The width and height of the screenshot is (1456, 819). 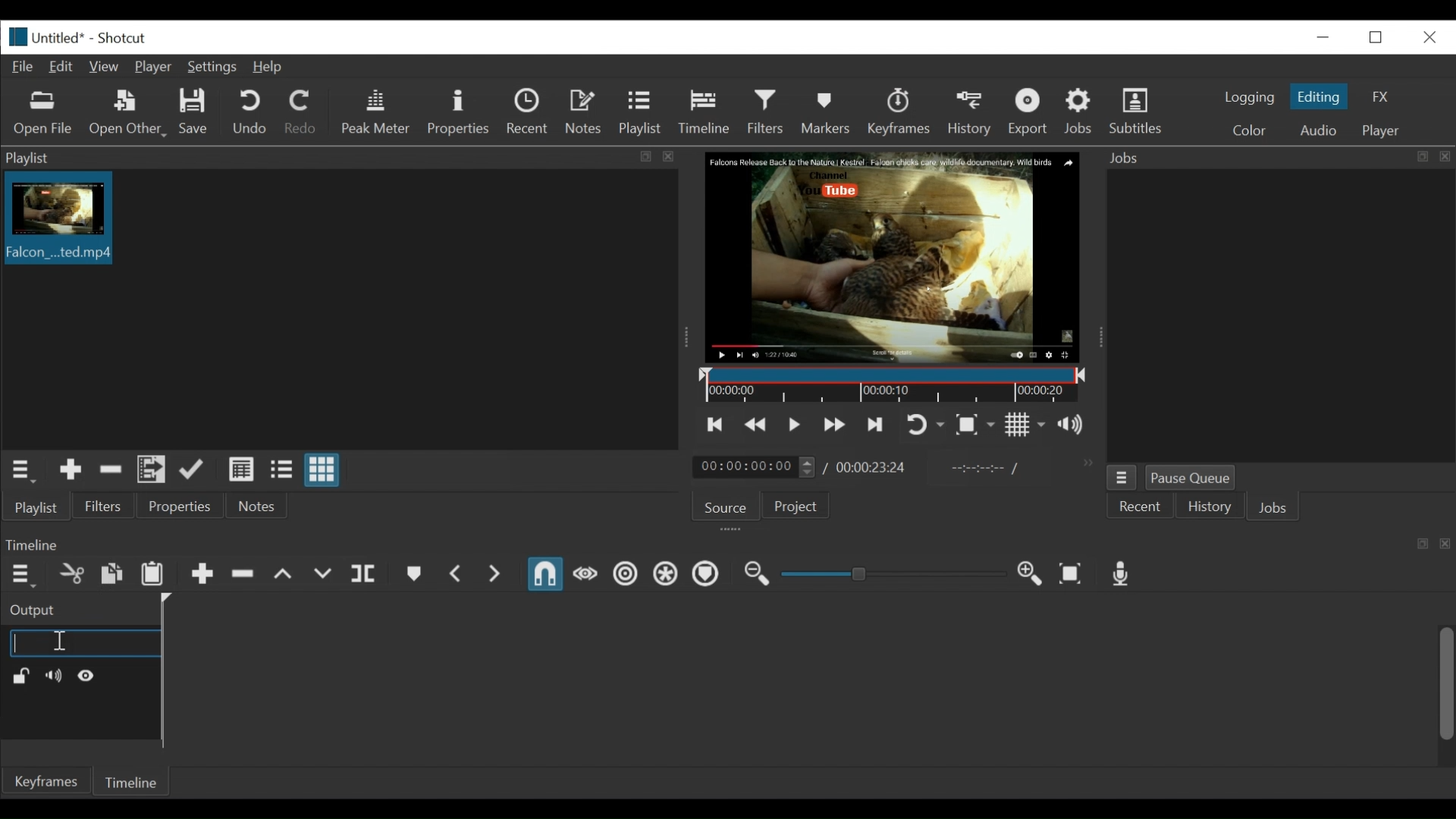 I want to click on Audio, so click(x=1316, y=129).